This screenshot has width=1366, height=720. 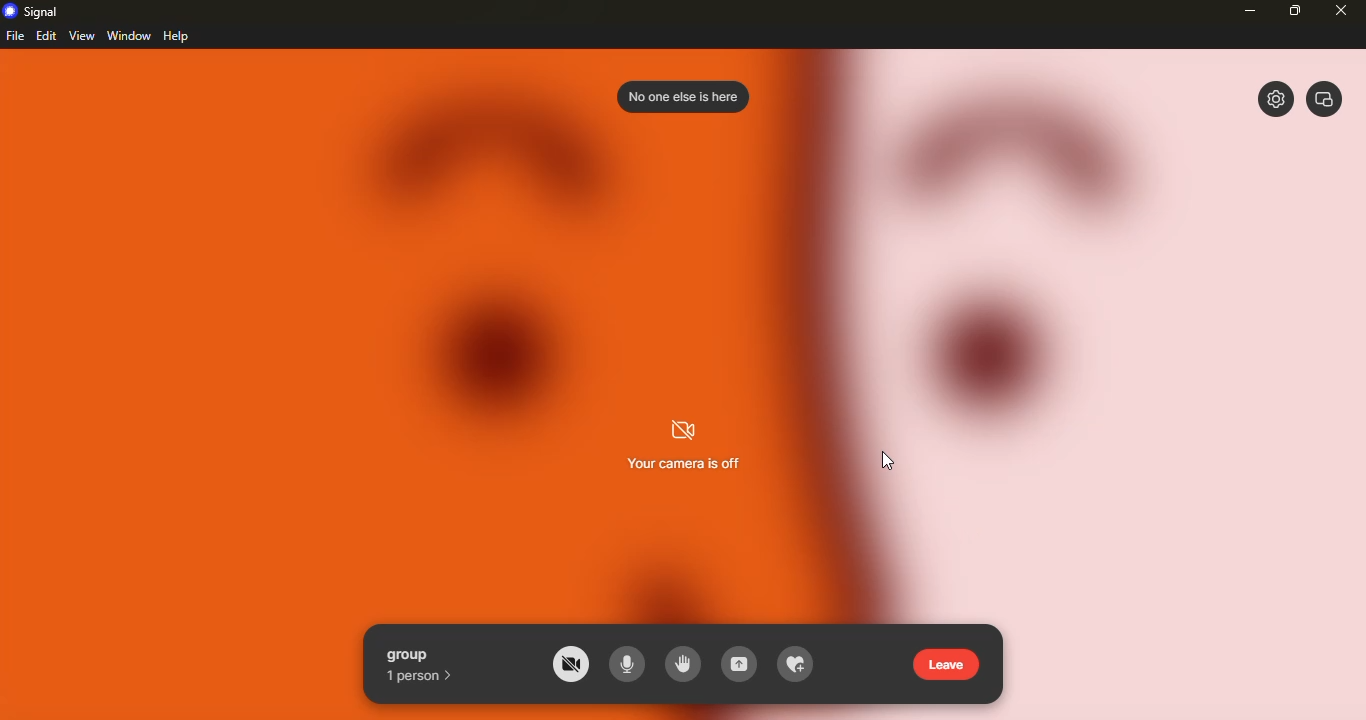 I want to click on no one is here, so click(x=680, y=97).